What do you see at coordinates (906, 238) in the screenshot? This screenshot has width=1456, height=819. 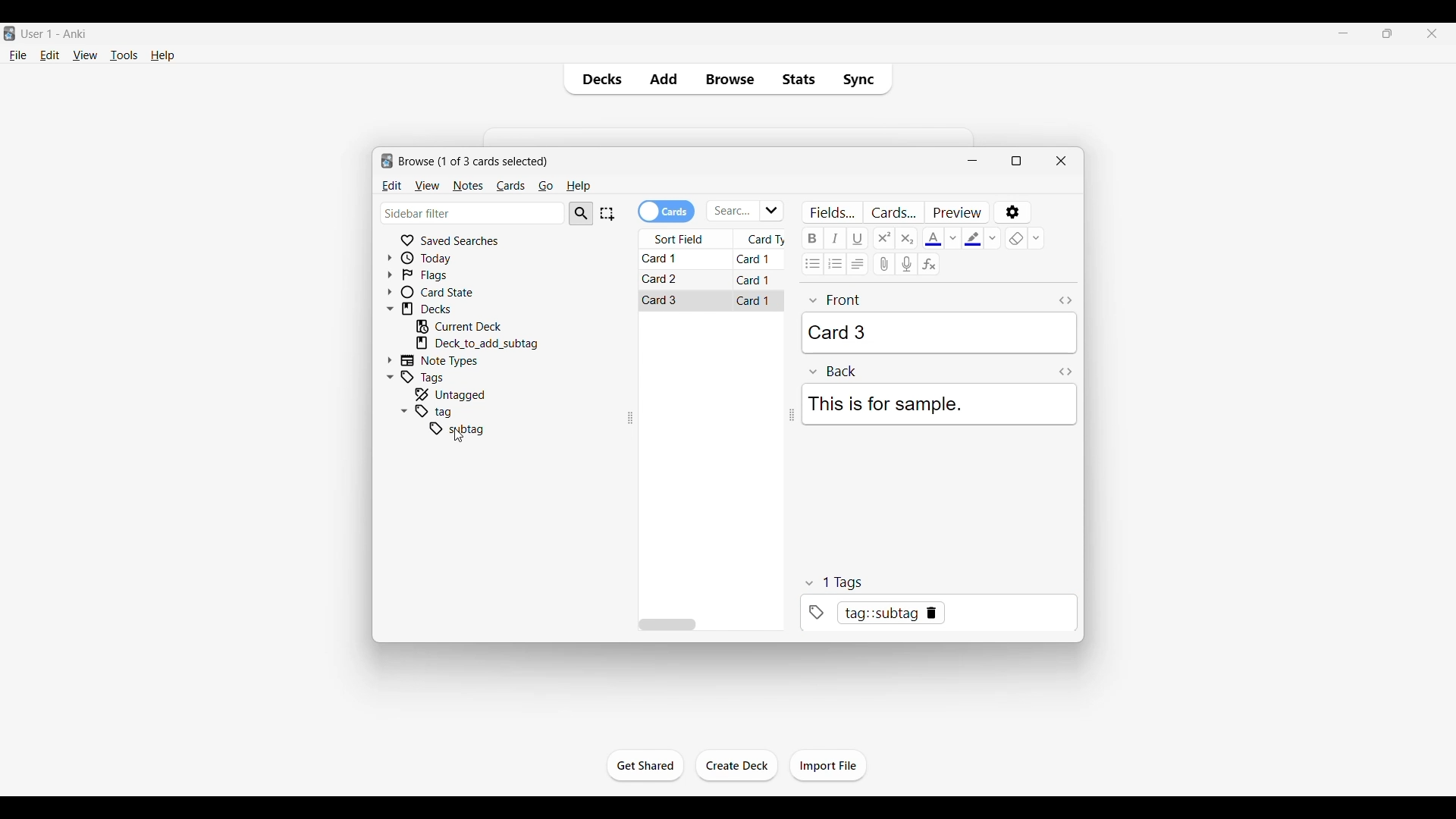 I see `Subscript` at bounding box center [906, 238].